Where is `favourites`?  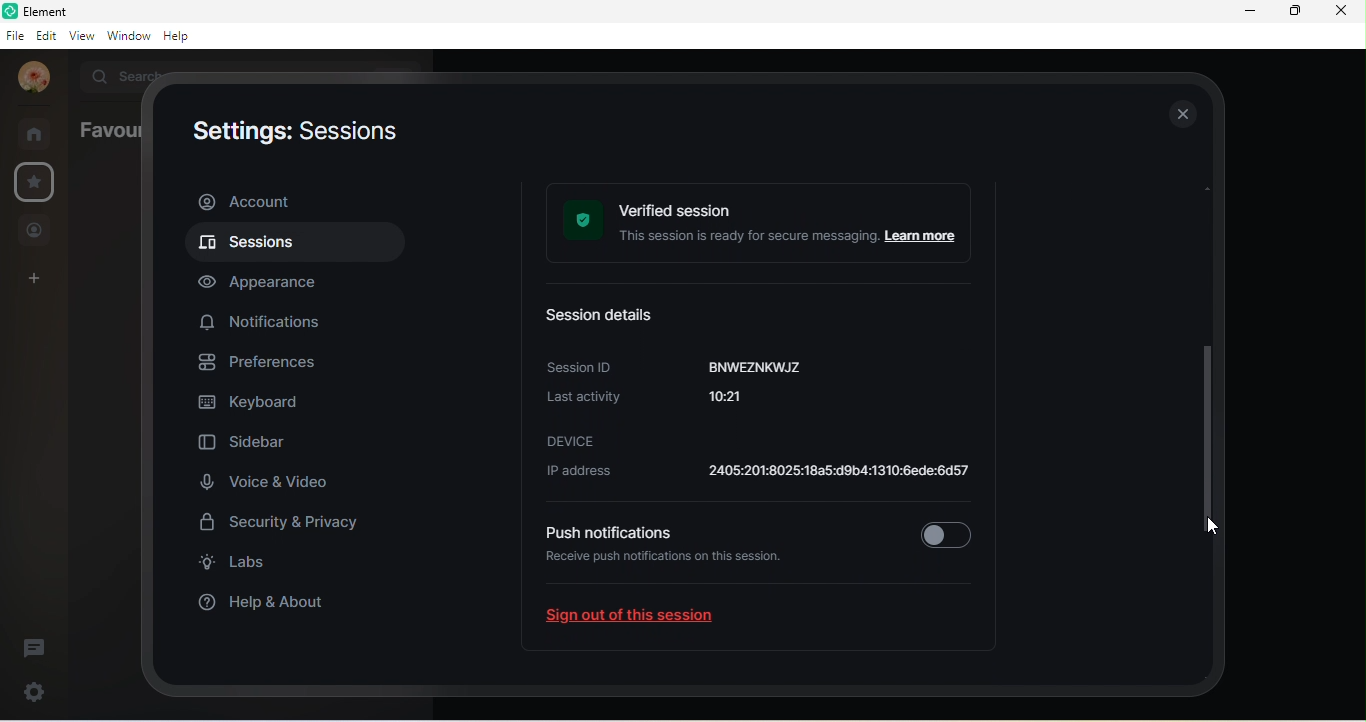
favourites is located at coordinates (106, 130).